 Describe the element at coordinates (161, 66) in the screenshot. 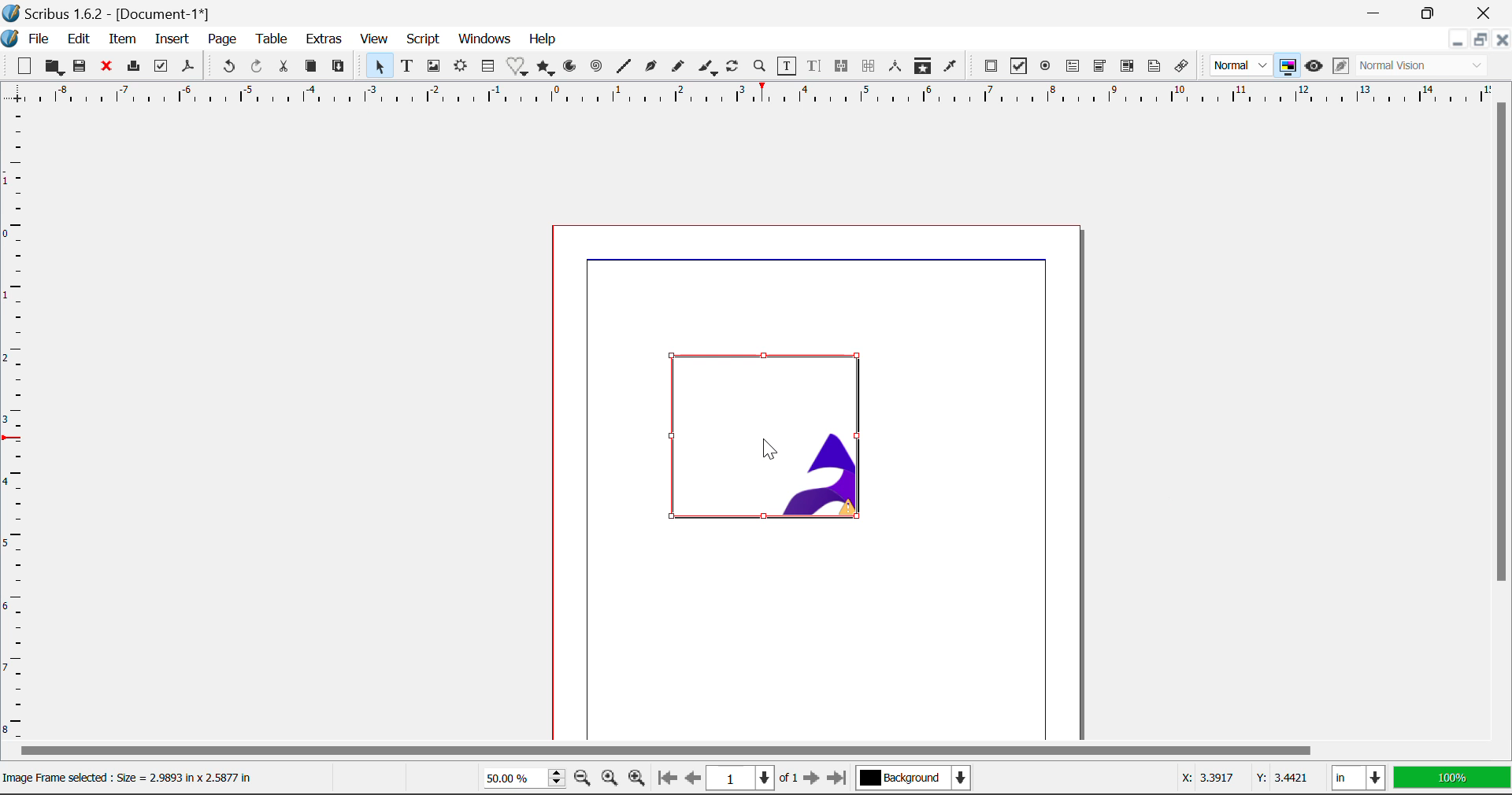

I see `Preflight Verifier` at that location.